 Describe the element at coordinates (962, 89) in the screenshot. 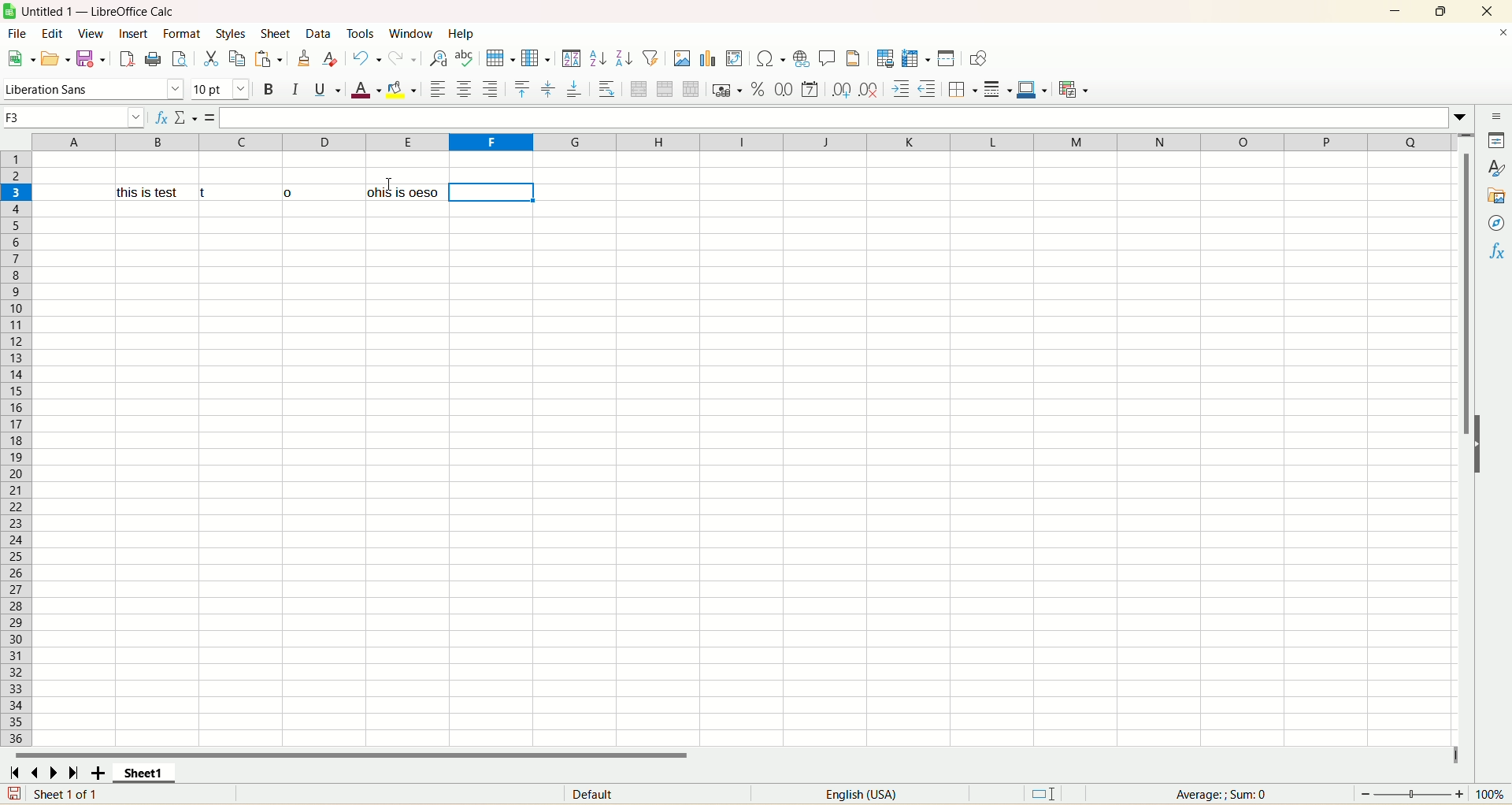

I see `border` at that location.